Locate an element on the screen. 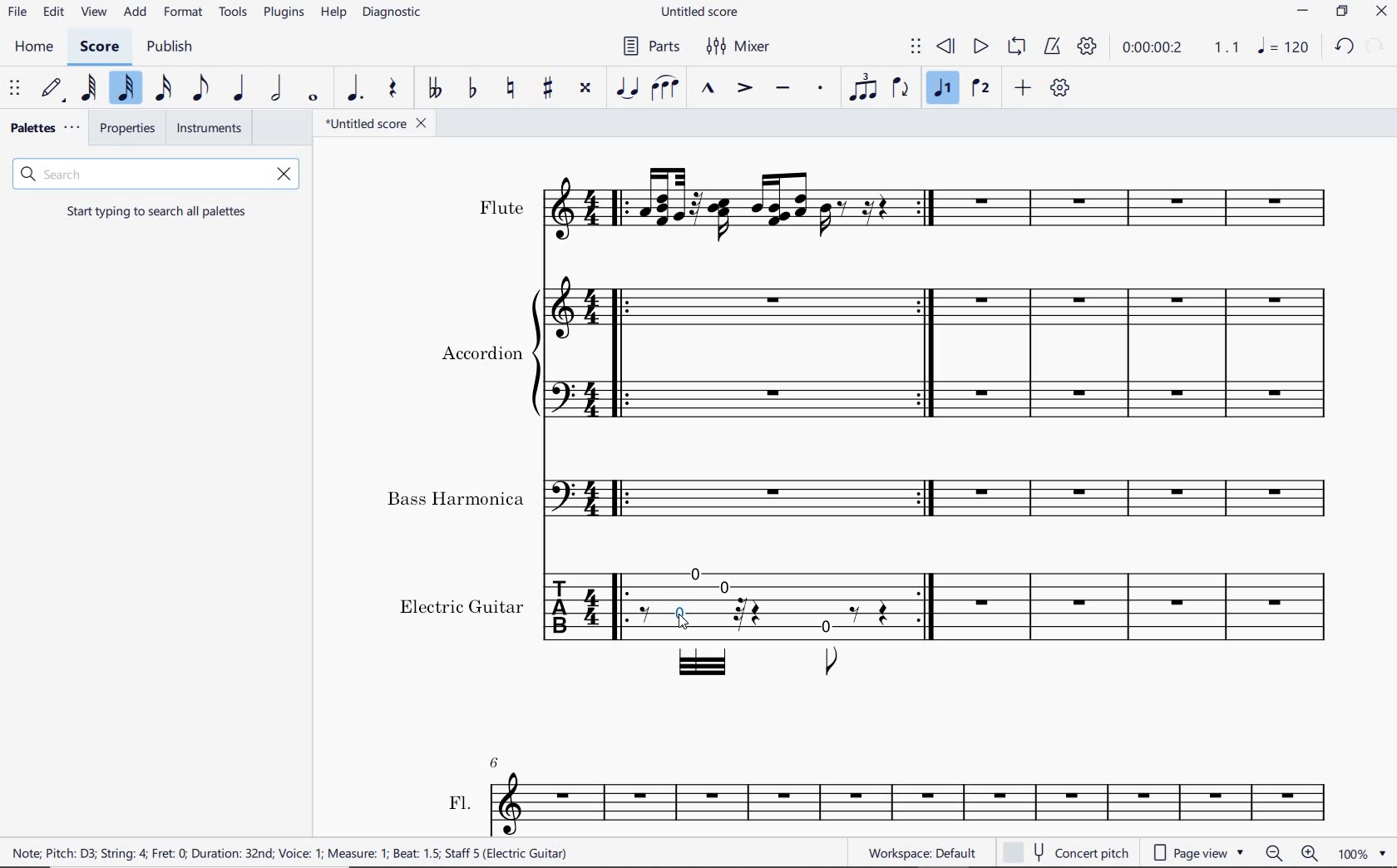 The height and width of the screenshot is (868, 1397). page view is located at coordinates (1197, 852).